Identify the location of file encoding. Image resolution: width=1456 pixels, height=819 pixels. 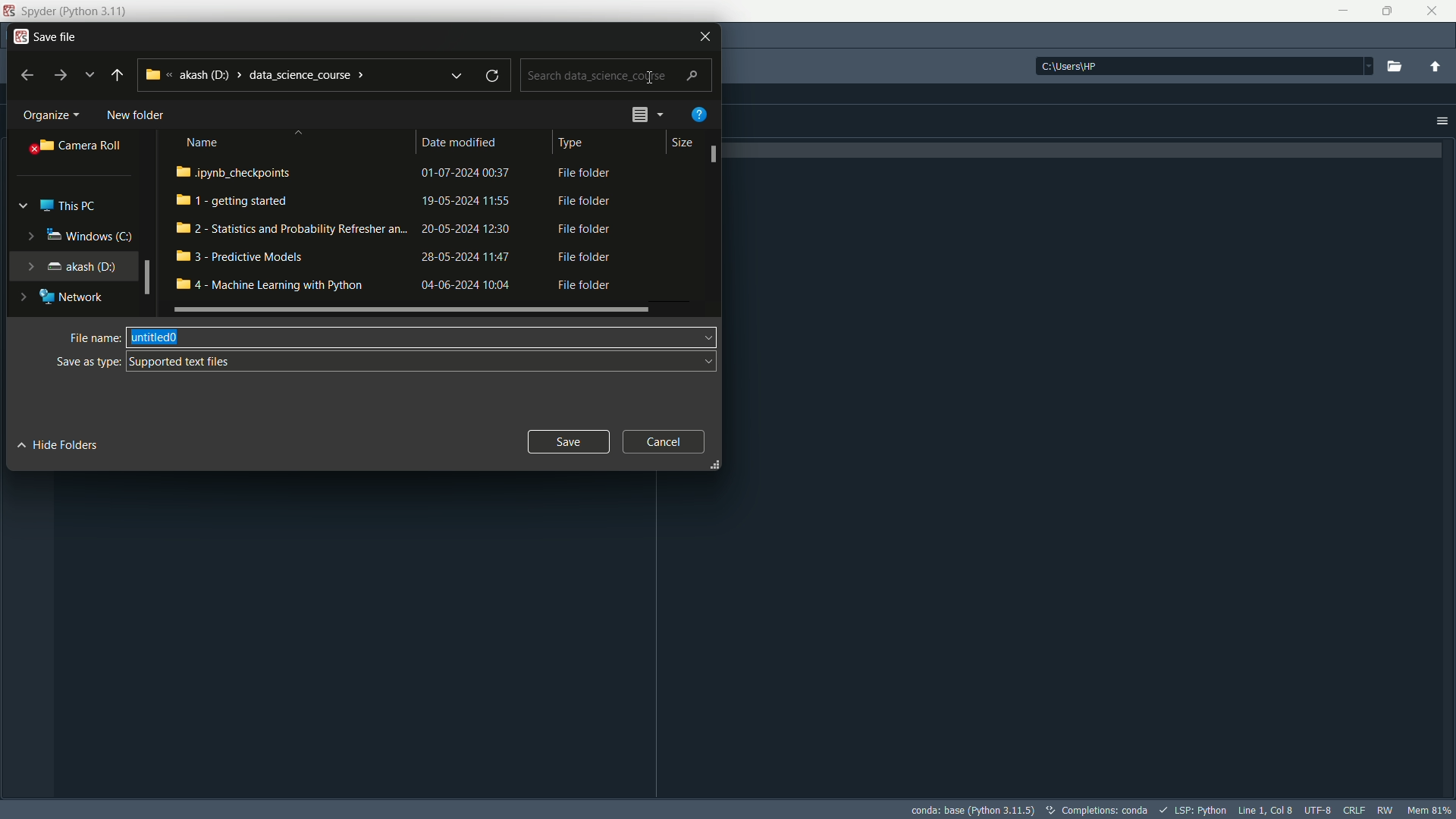
(1318, 810).